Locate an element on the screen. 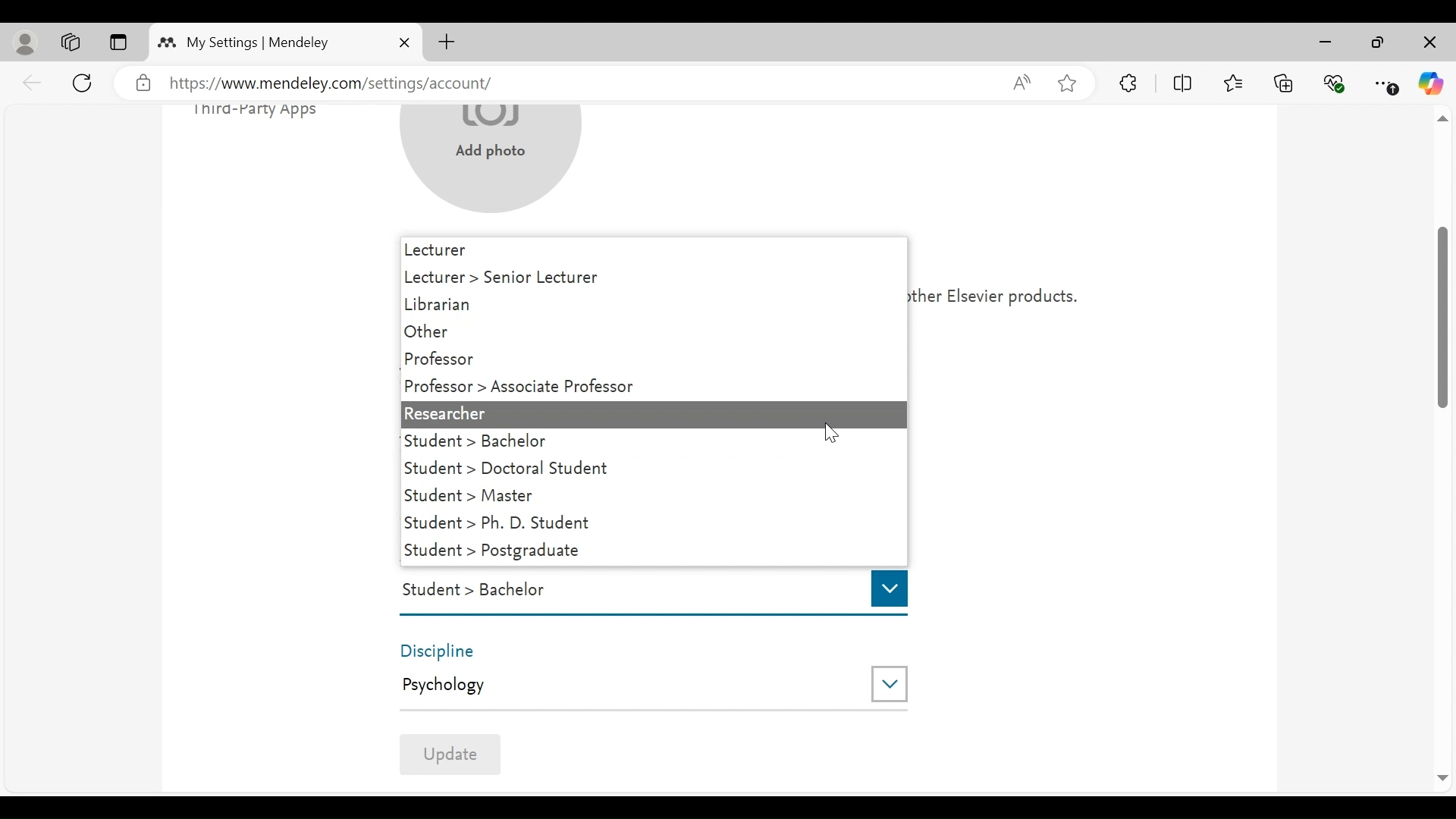 The width and height of the screenshot is (1456, 819). Researcher is located at coordinates (652, 415).